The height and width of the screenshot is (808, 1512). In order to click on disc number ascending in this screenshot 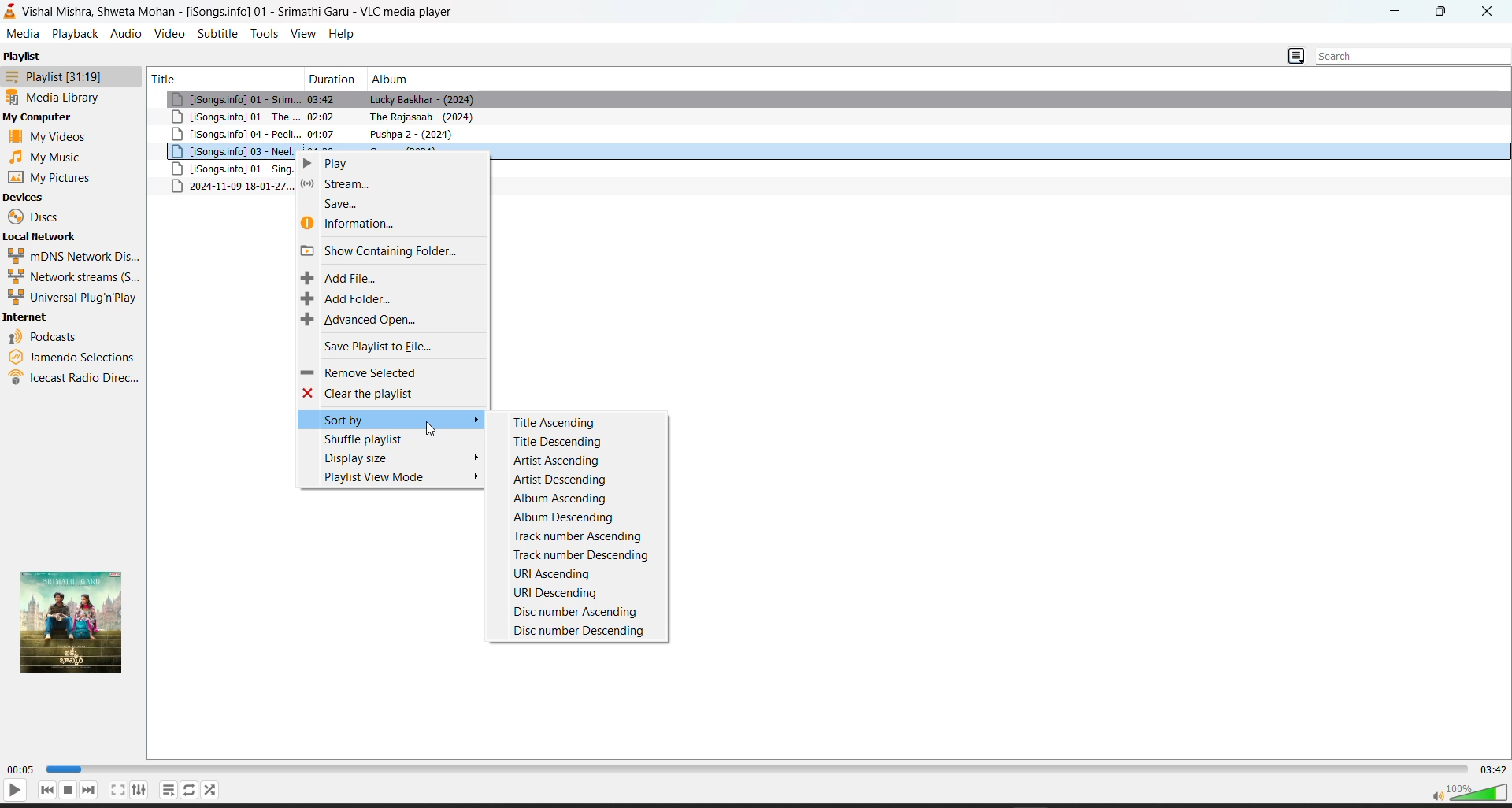, I will do `click(570, 610)`.